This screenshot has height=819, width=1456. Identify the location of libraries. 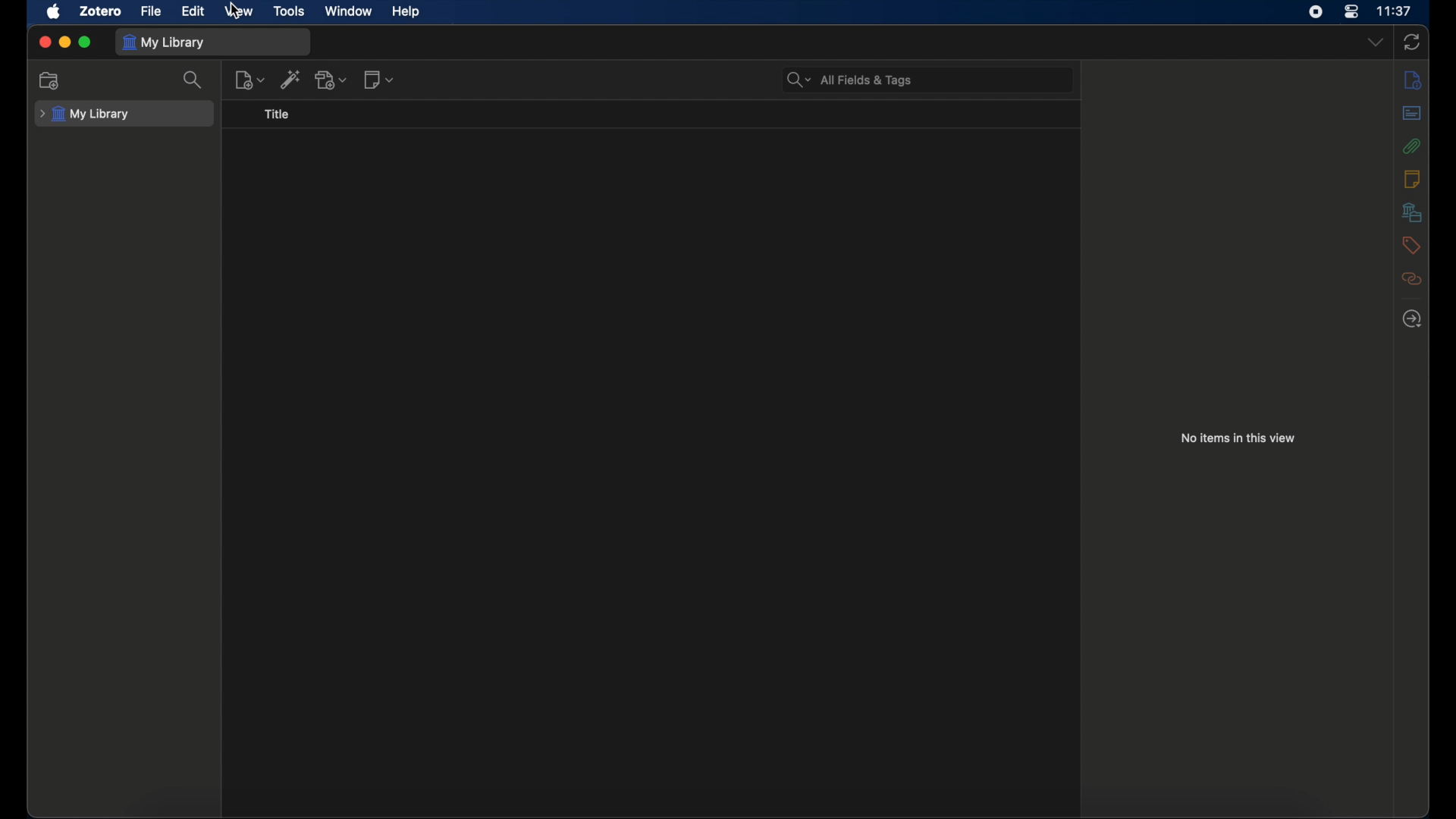
(1412, 212).